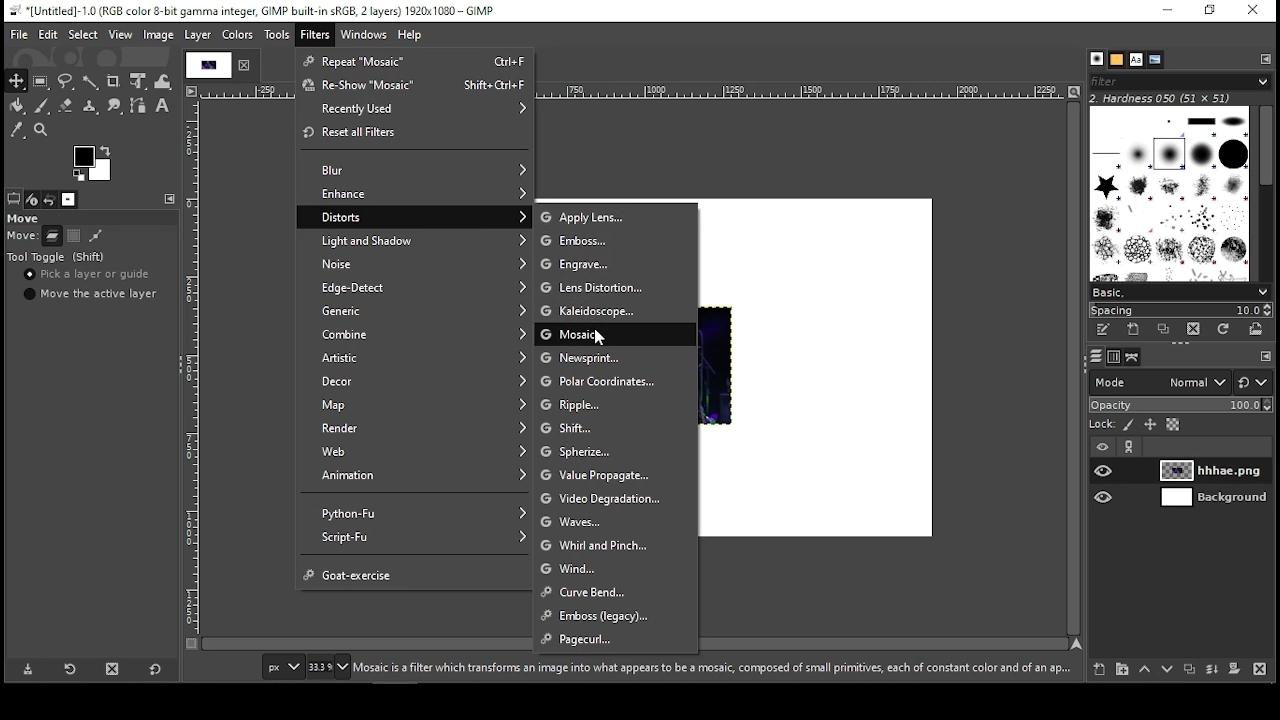 This screenshot has height=720, width=1280. Describe the element at coordinates (90, 83) in the screenshot. I see `fuzzy selection tool` at that location.